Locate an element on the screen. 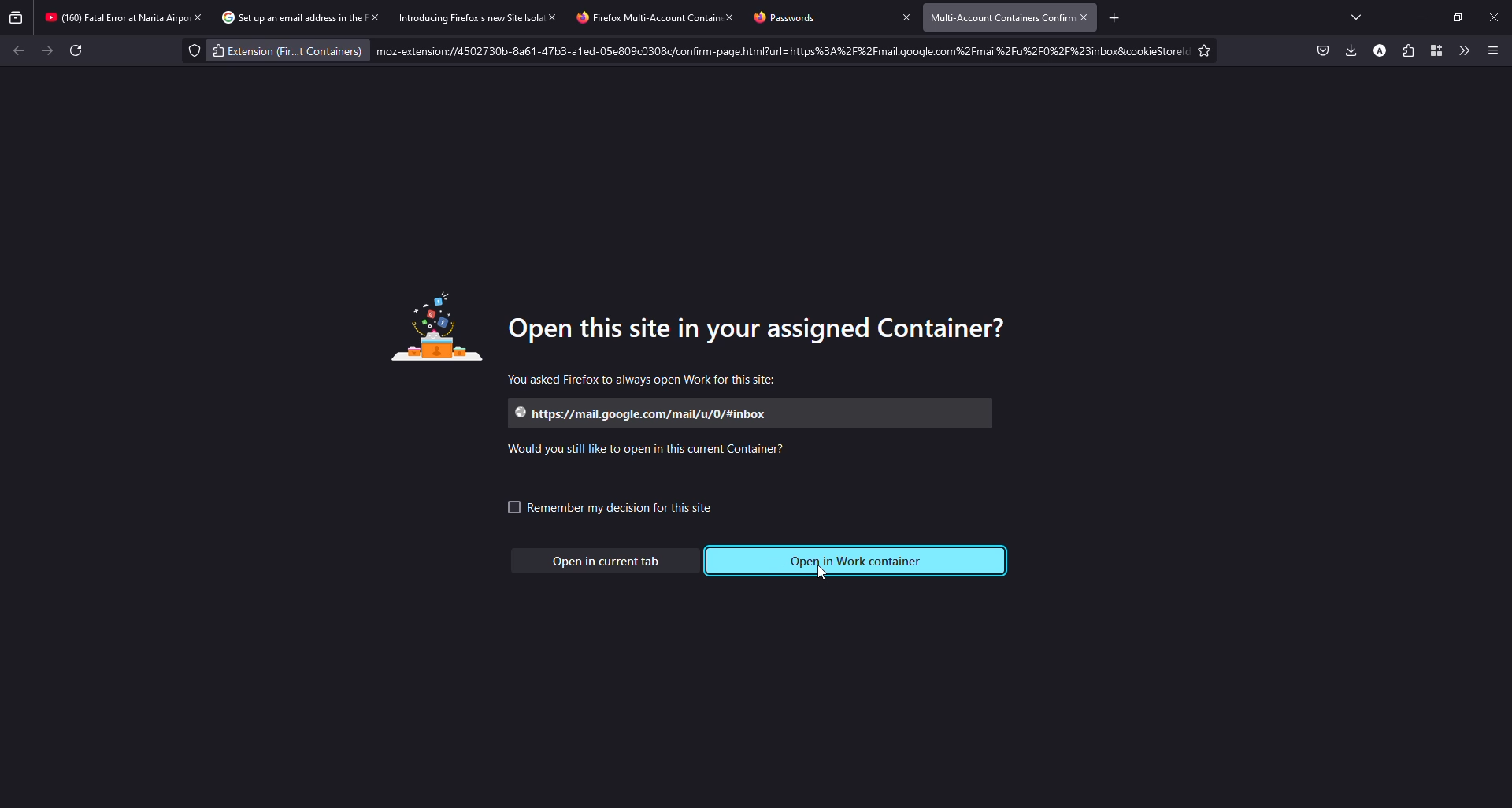  checkbox is located at coordinates (503, 507).